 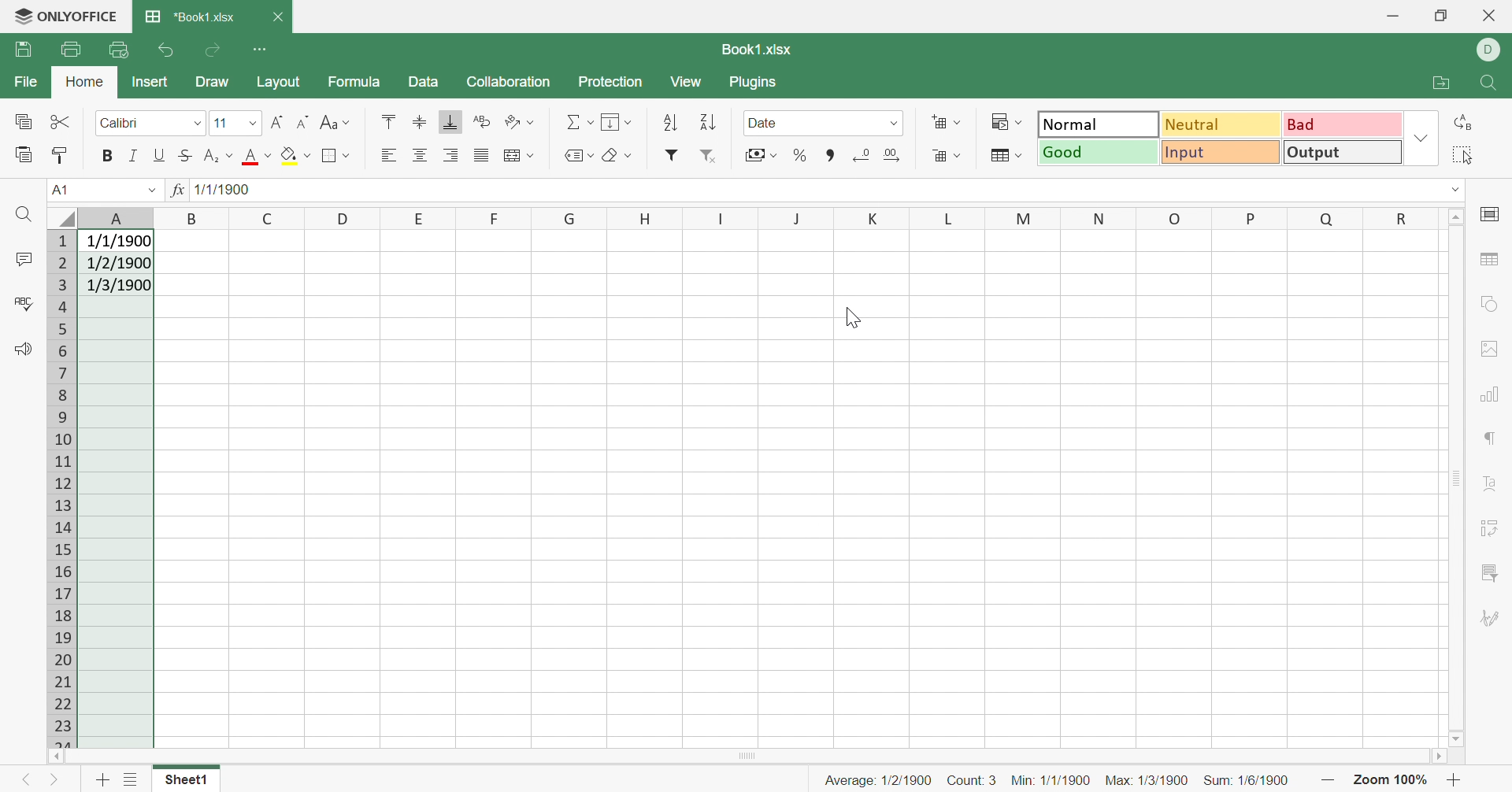 I want to click on Sum: 1/6/1900, so click(x=1247, y=781).